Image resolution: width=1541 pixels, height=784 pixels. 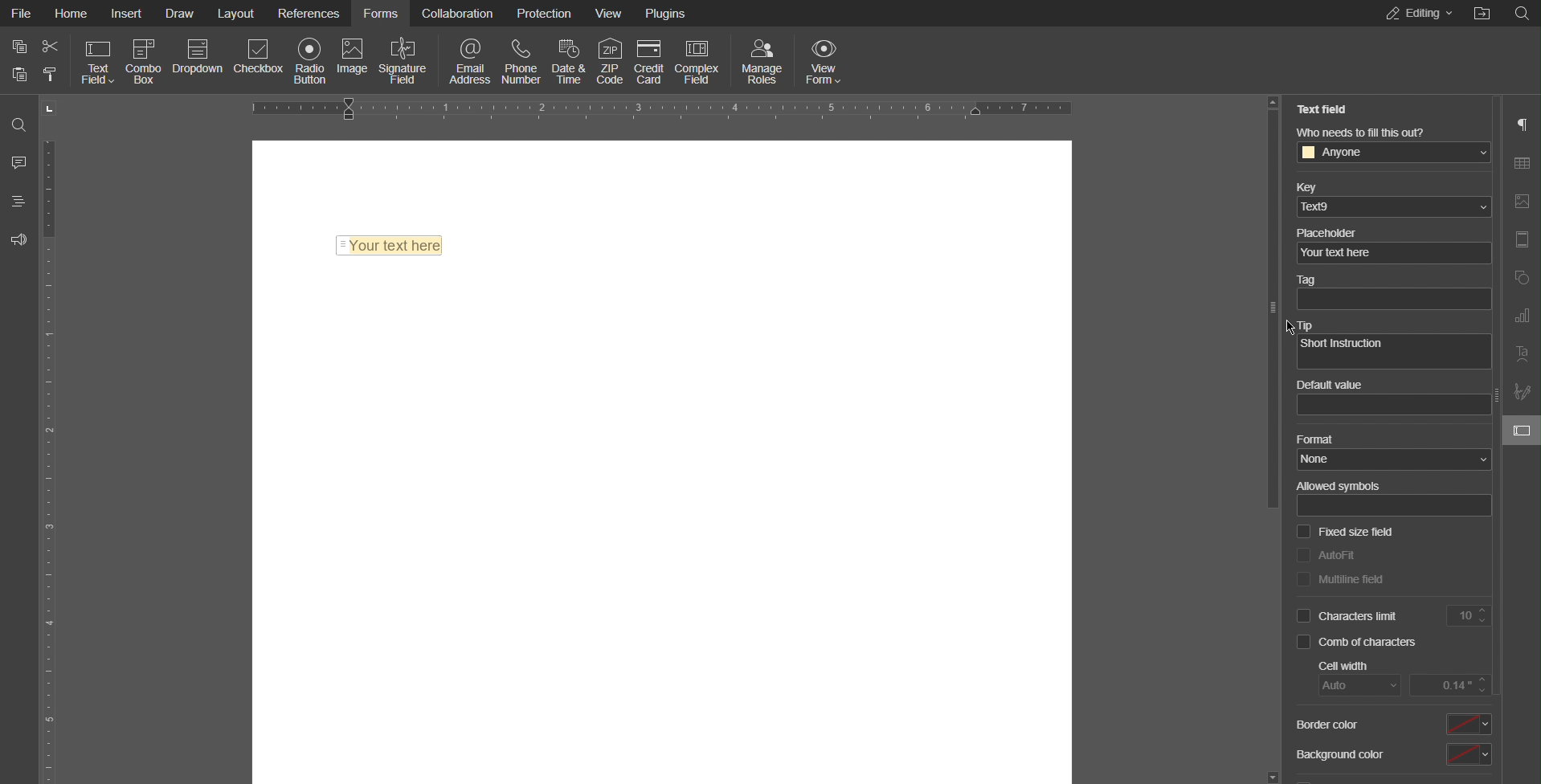 I want to click on Text Field Settings, so click(x=1521, y=430).